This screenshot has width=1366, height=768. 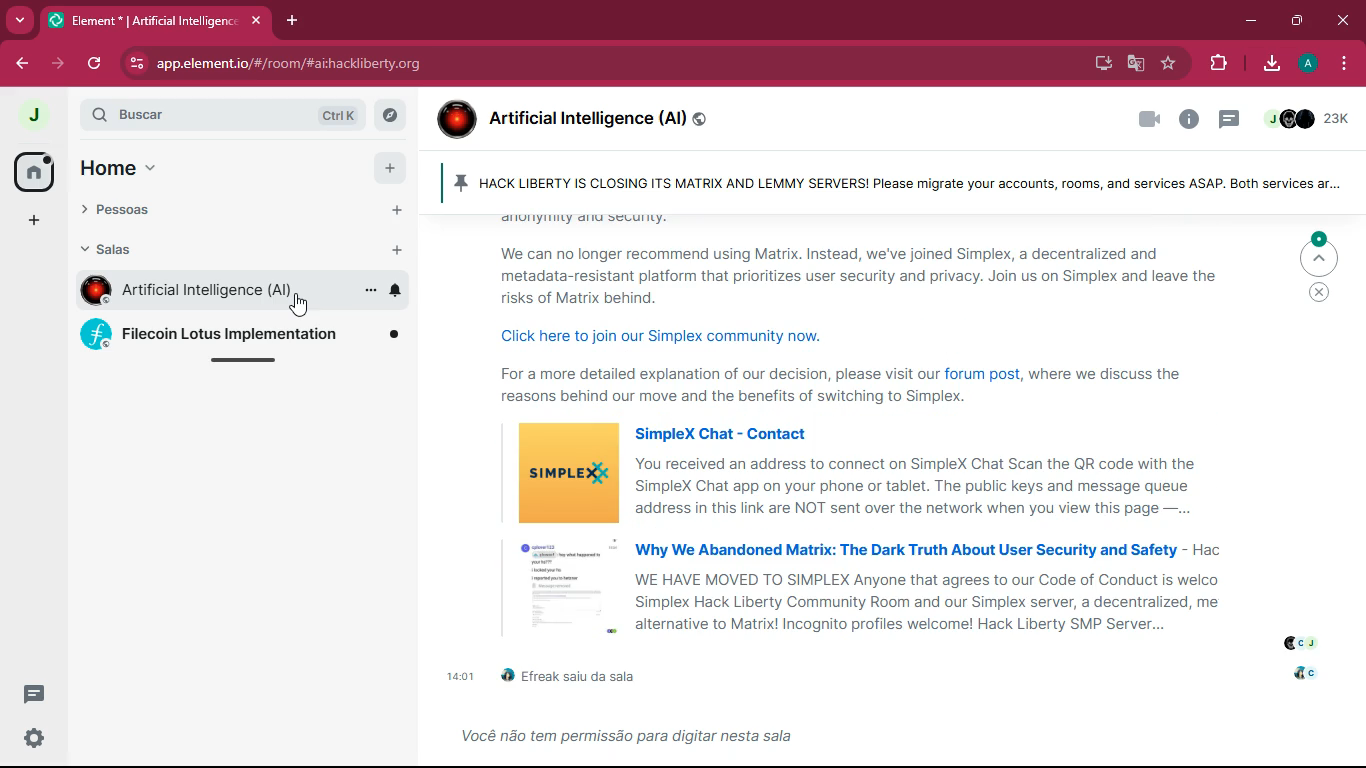 What do you see at coordinates (1185, 120) in the screenshot?
I see `info` at bounding box center [1185, 120].